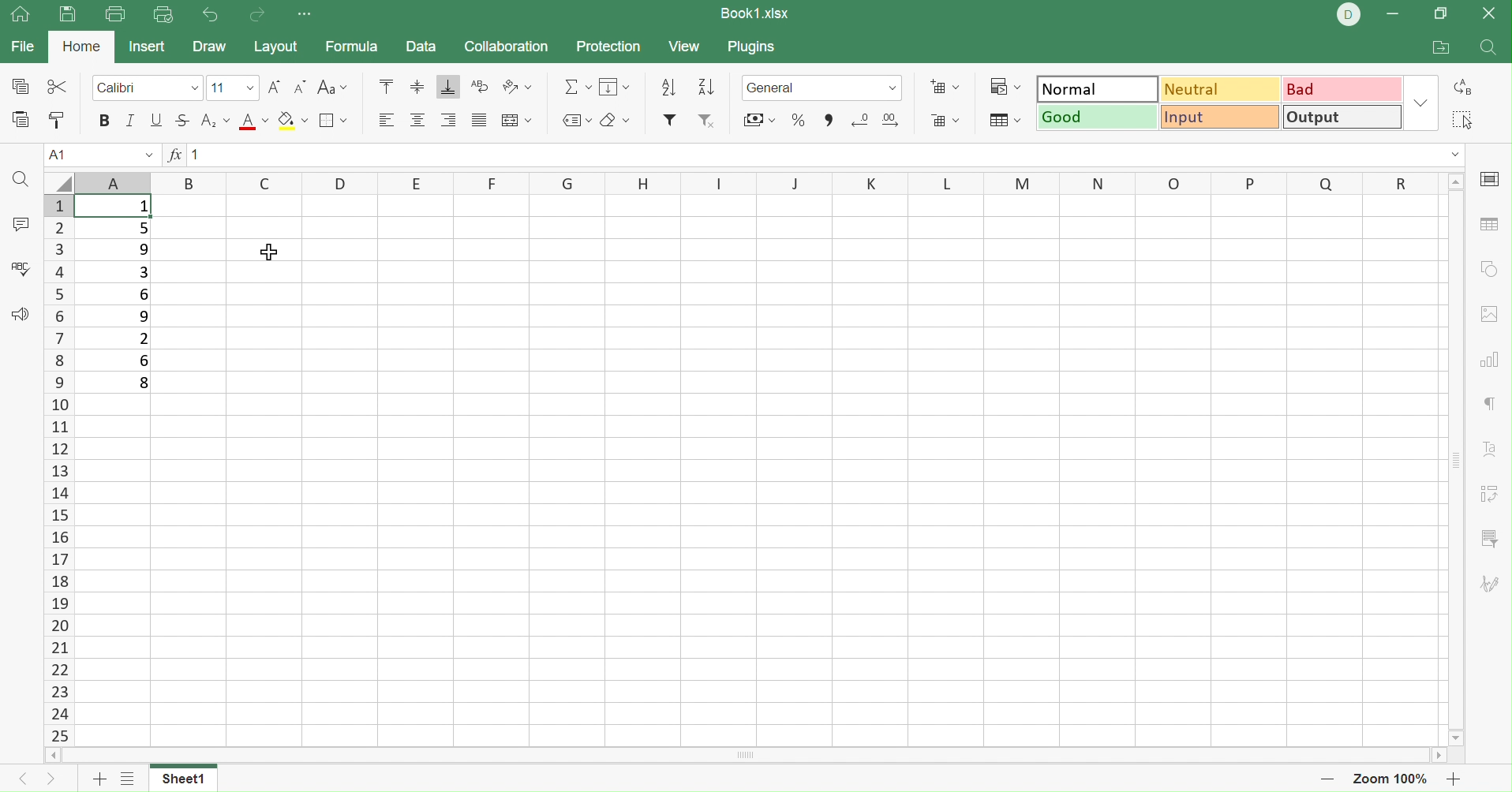  What do you see at coordinates (144, 361) in the screenshot?
I see `6` at bounding box center [144, 361].